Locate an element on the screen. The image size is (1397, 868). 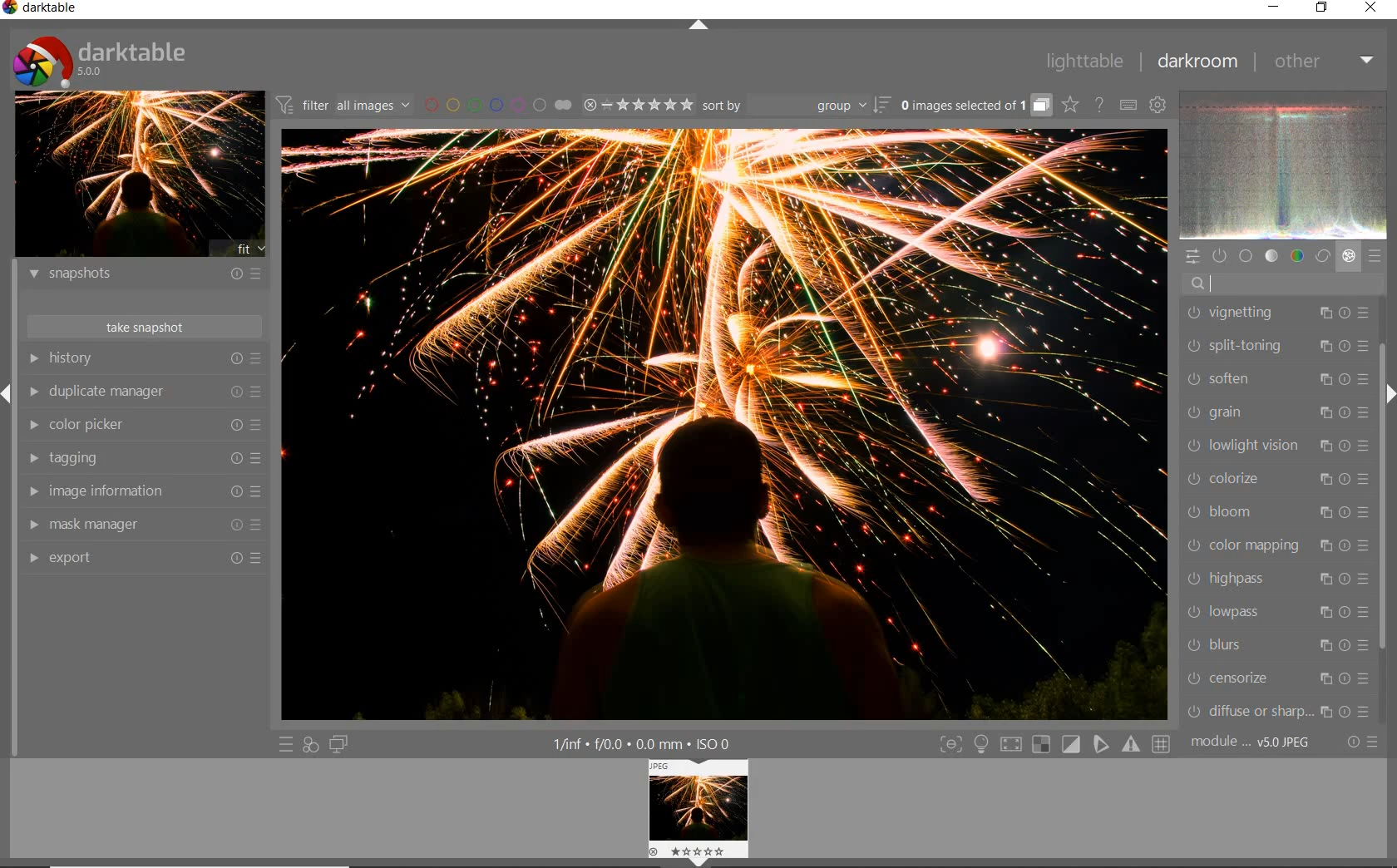
bloom is located at coordinates (1274, 512).